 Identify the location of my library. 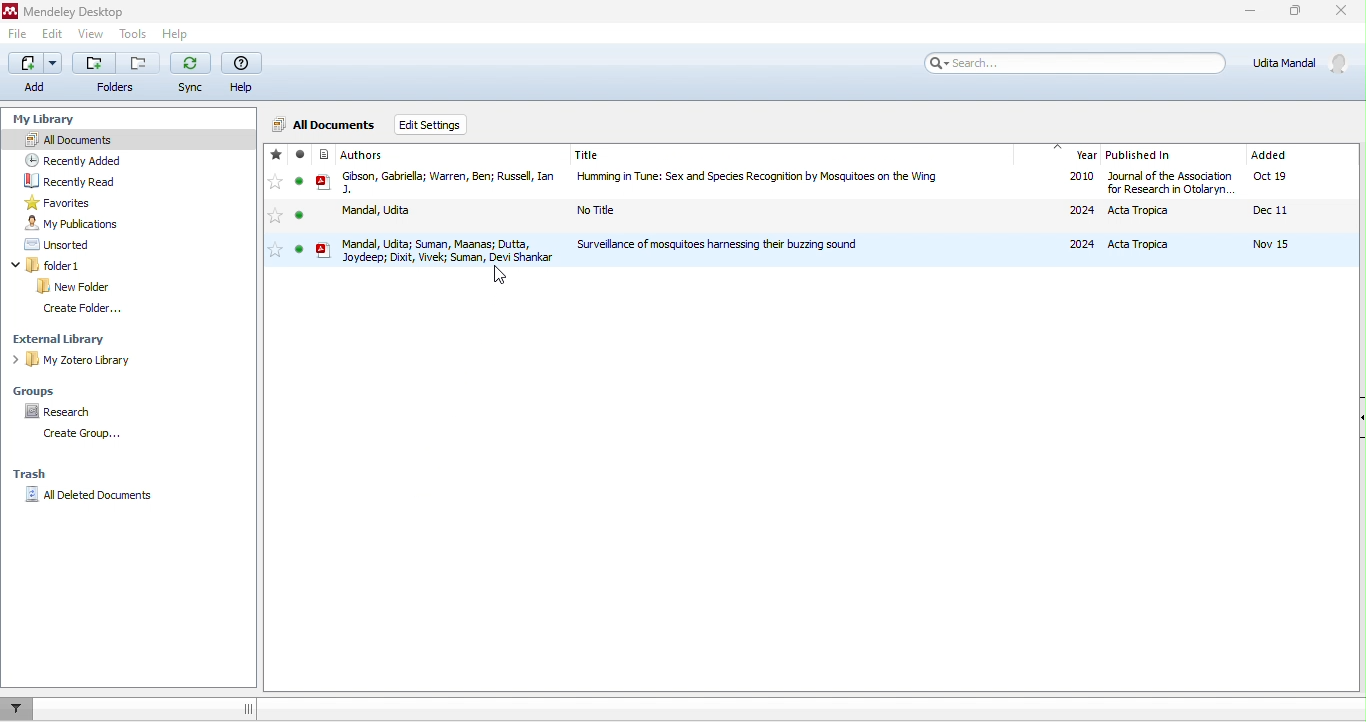
(55, 121).